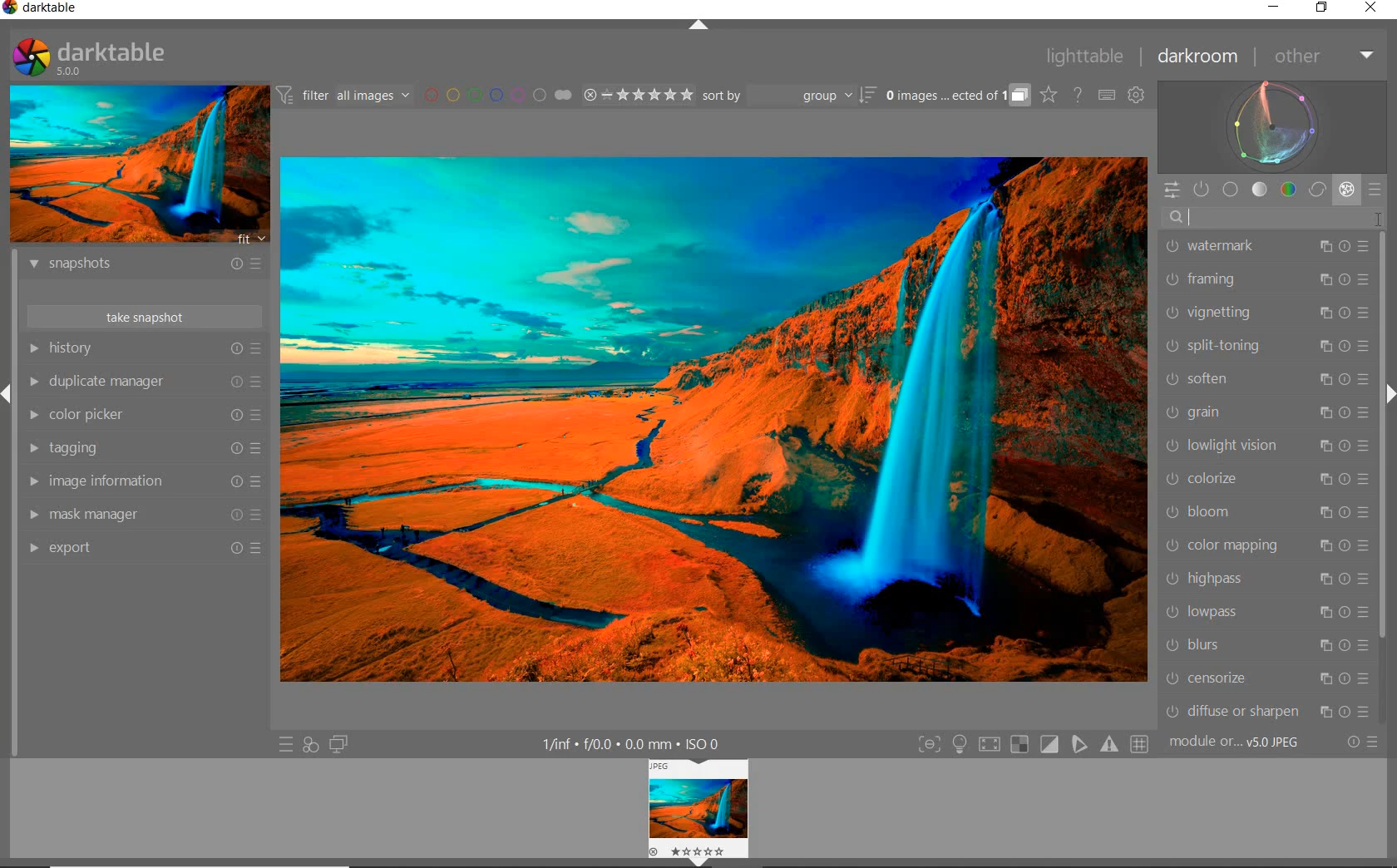 Image resolution: width=1397 pixels, height=868 pixels. What do you see at coordinates (1089, 57) in the screenshot?
I see `lighttable` at bounding box center [1089, 57].